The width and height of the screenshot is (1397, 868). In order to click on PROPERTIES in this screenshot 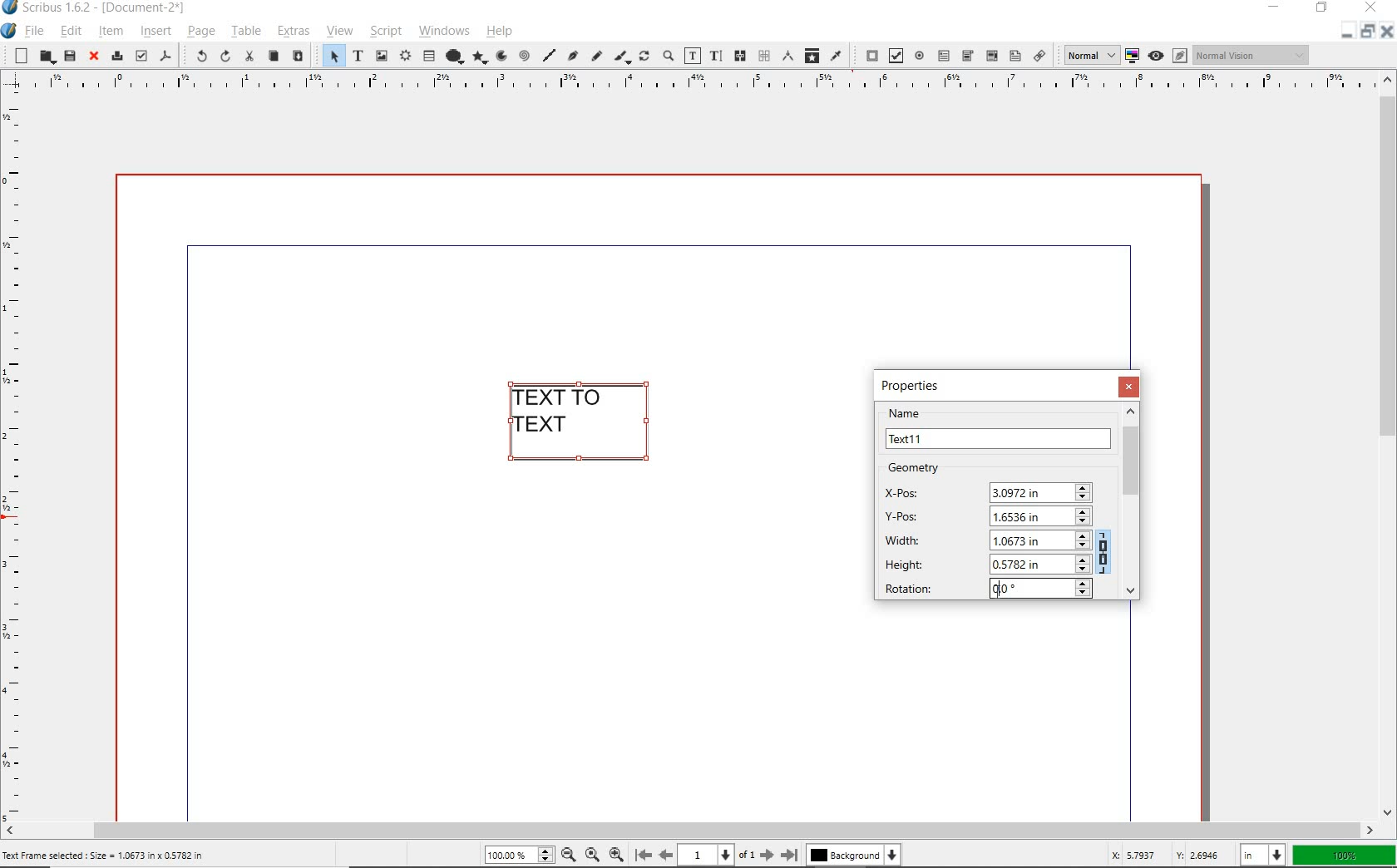, I will do `click(914, 385)`.